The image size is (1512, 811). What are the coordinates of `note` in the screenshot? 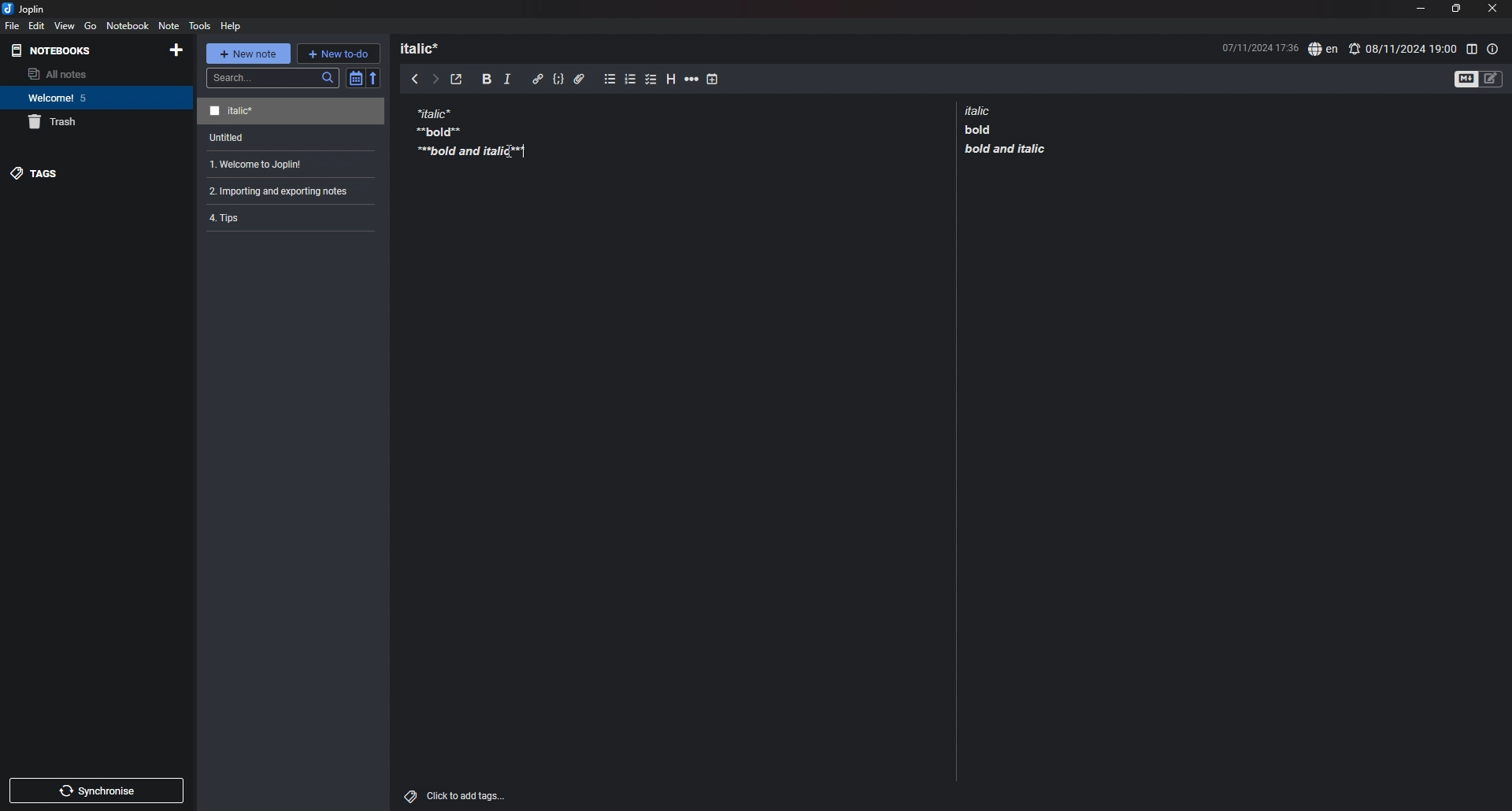 It's located at (469, 130).